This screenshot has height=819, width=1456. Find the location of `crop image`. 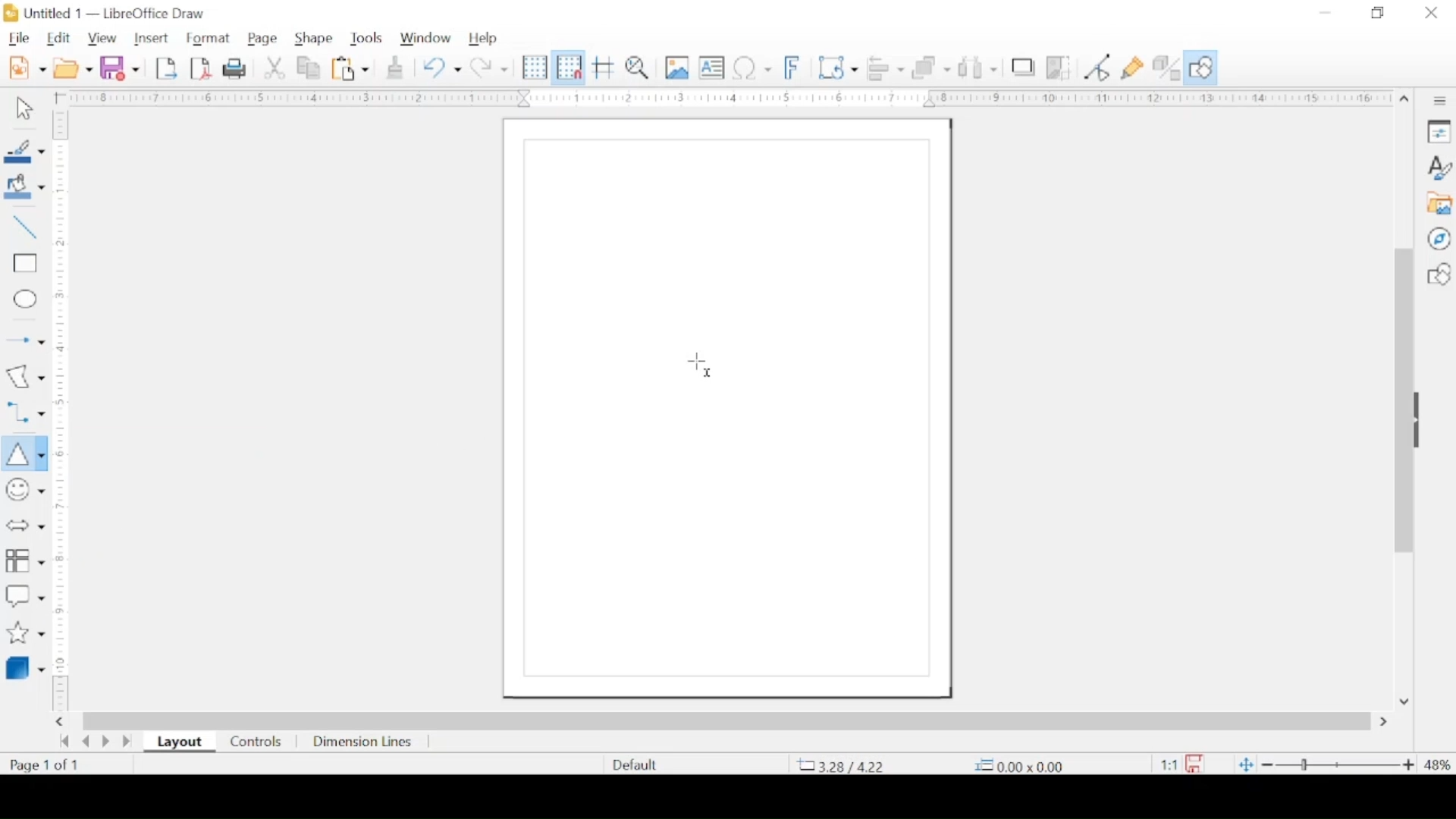

crop image is located at coordinates (1062, 68).